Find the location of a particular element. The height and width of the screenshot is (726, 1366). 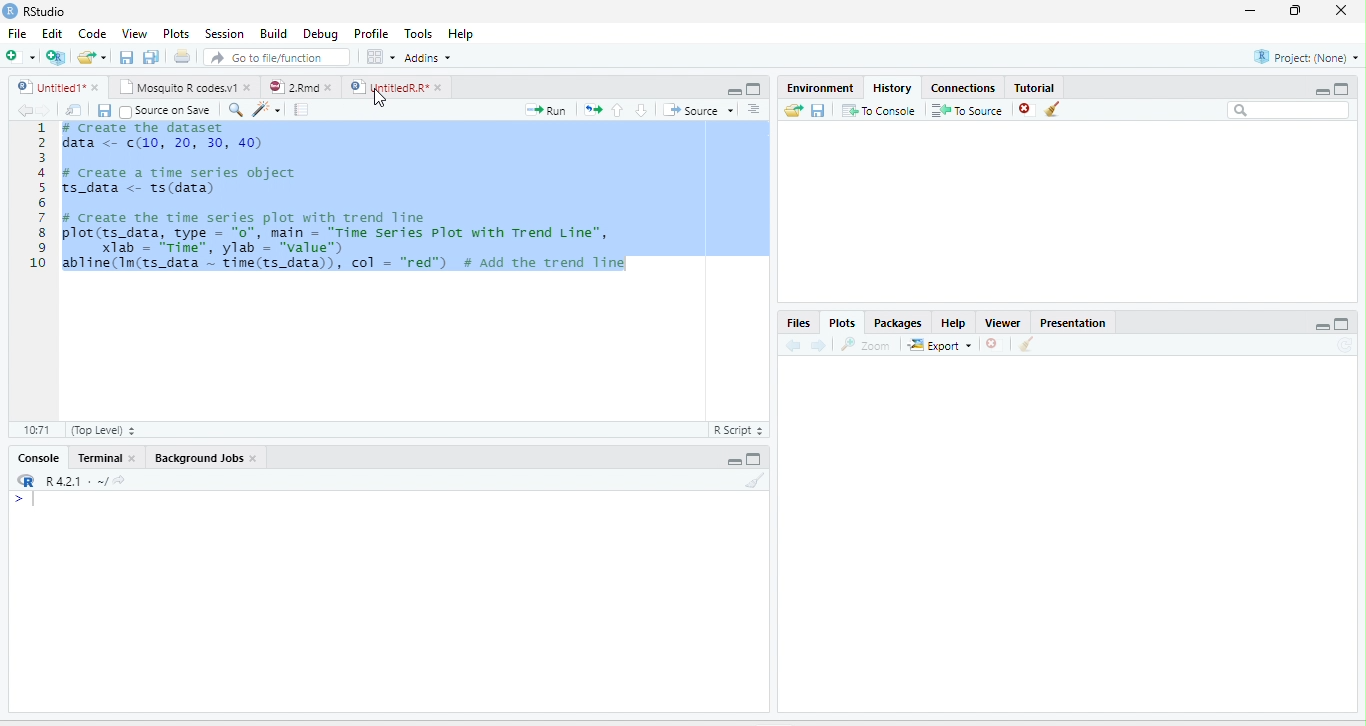

Show document outline is located at coordinates (754, 109).